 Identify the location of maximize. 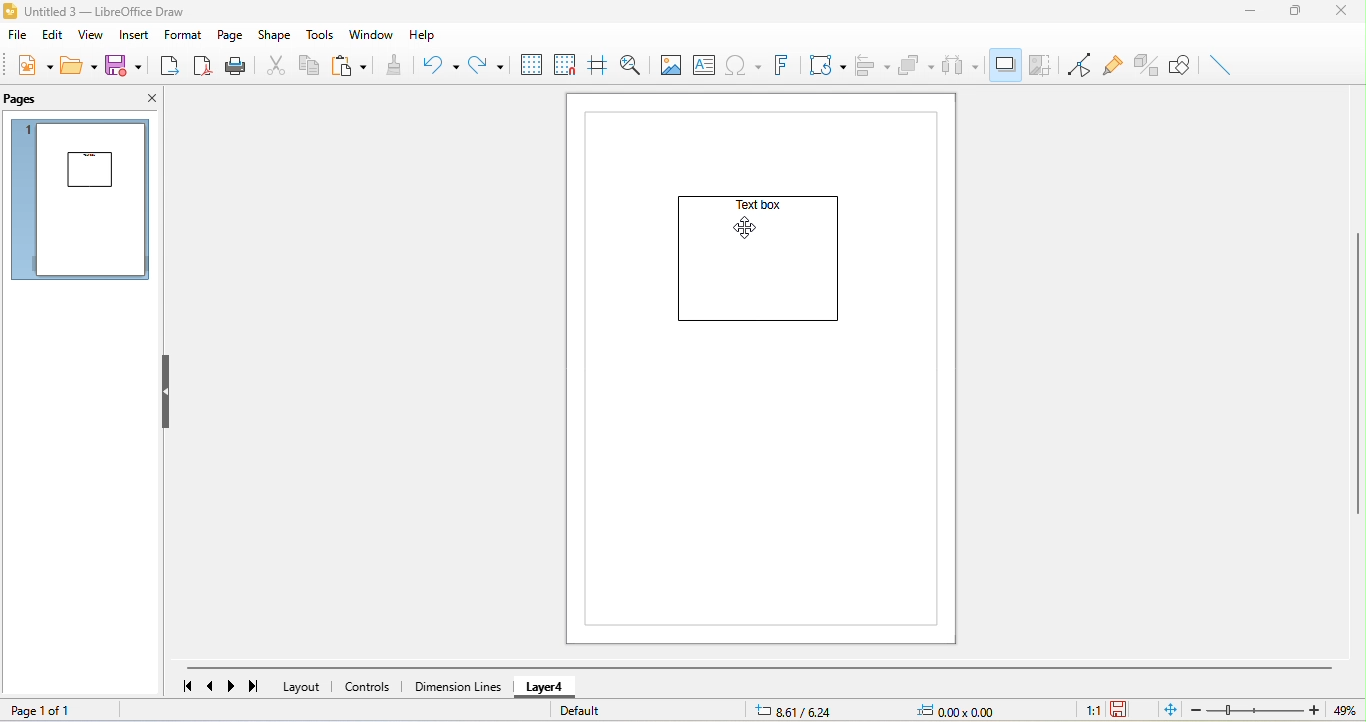
(1296, 11).